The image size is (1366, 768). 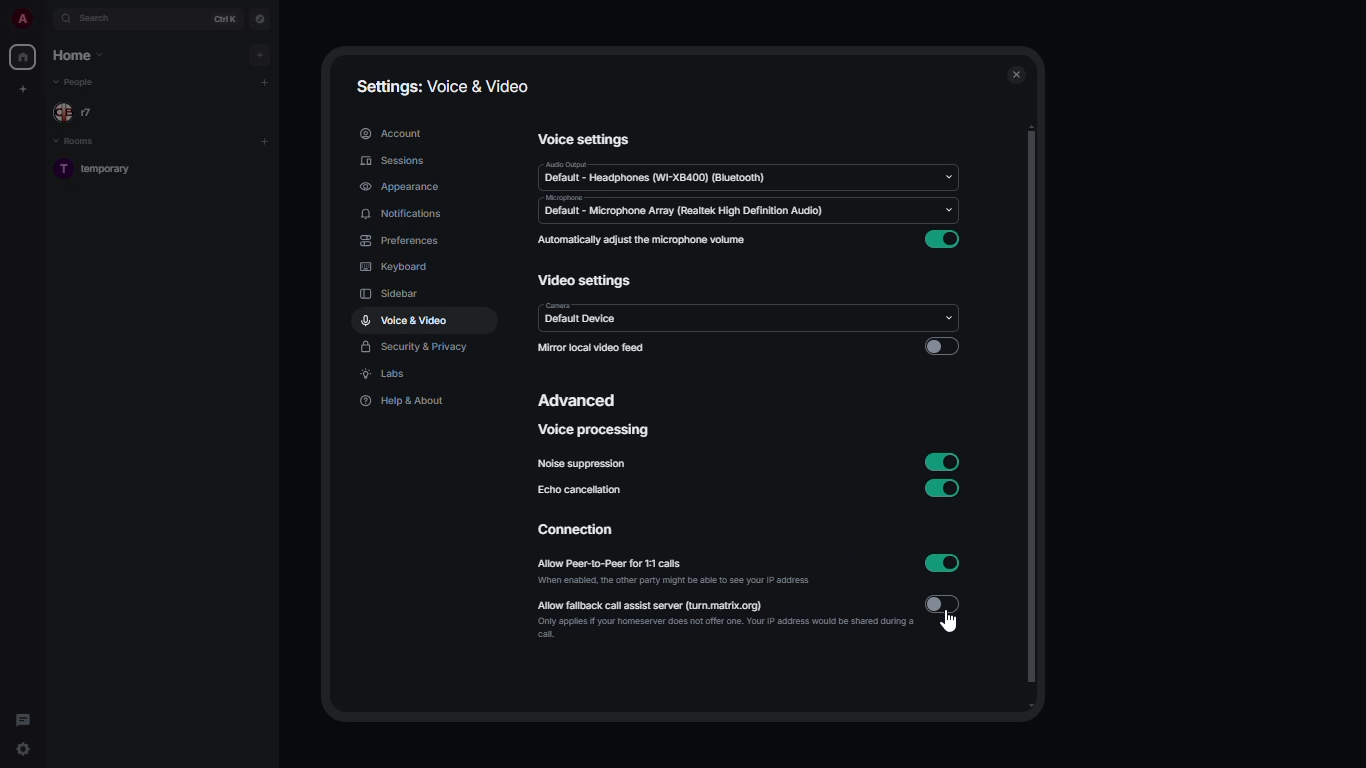 I want to click on automatically adjust the microphone volume, so click(x=641, y=239).